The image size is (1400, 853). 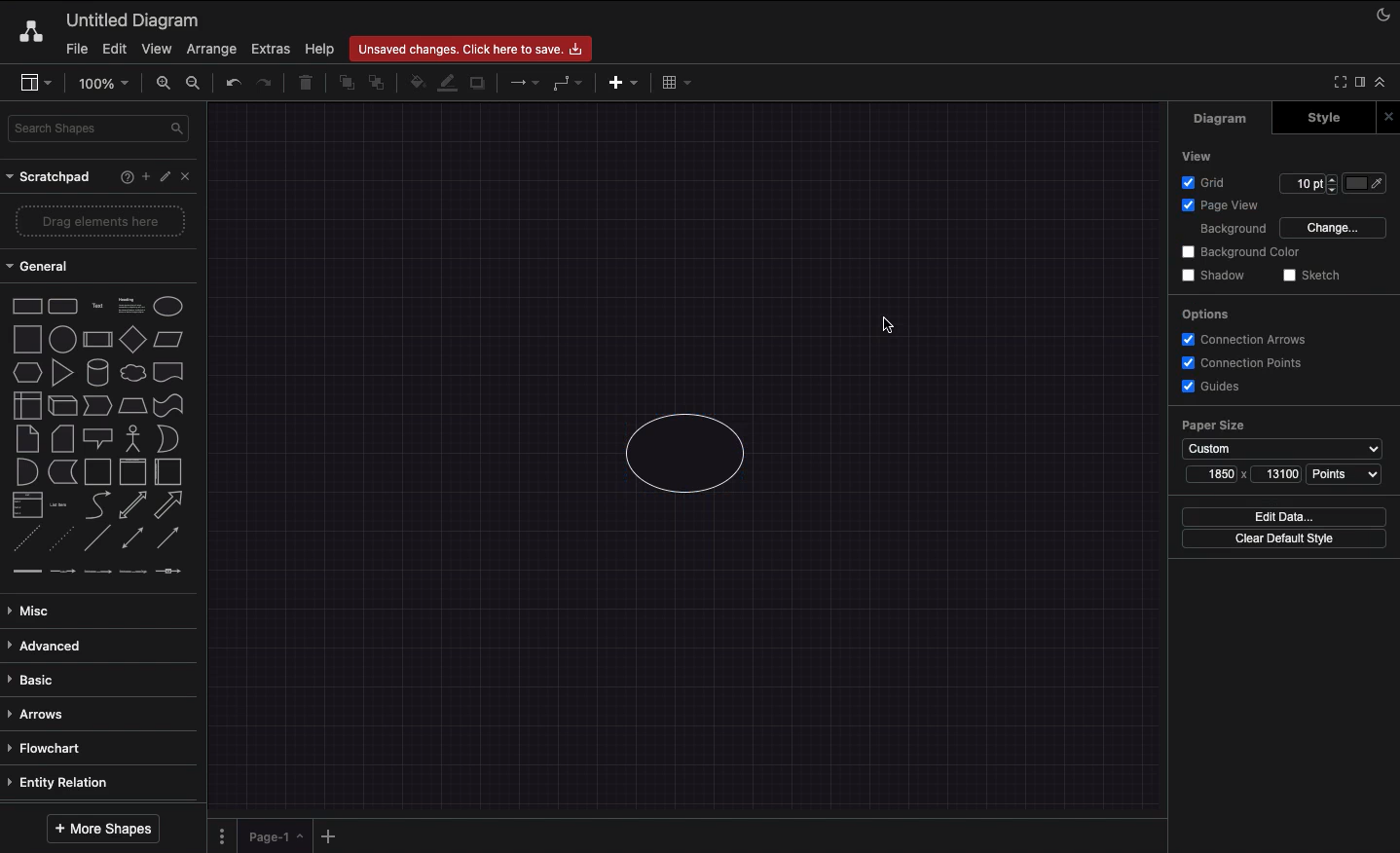 What do you see at coordinates (212, 50) in the screenshot?
I see `Arrange` at bounding box center [212, 50].